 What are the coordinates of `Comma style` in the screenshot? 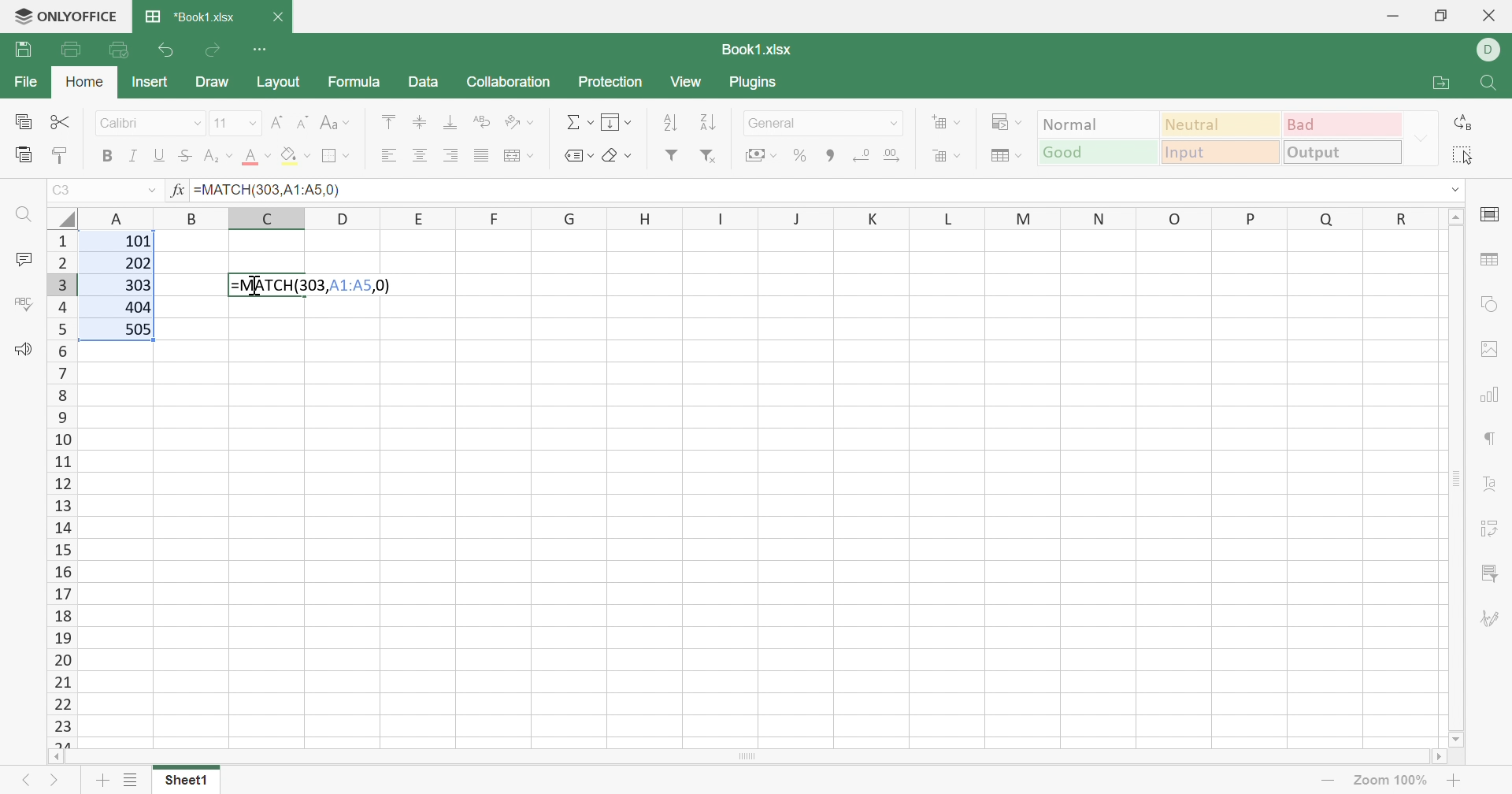 It's located at (828, 157).